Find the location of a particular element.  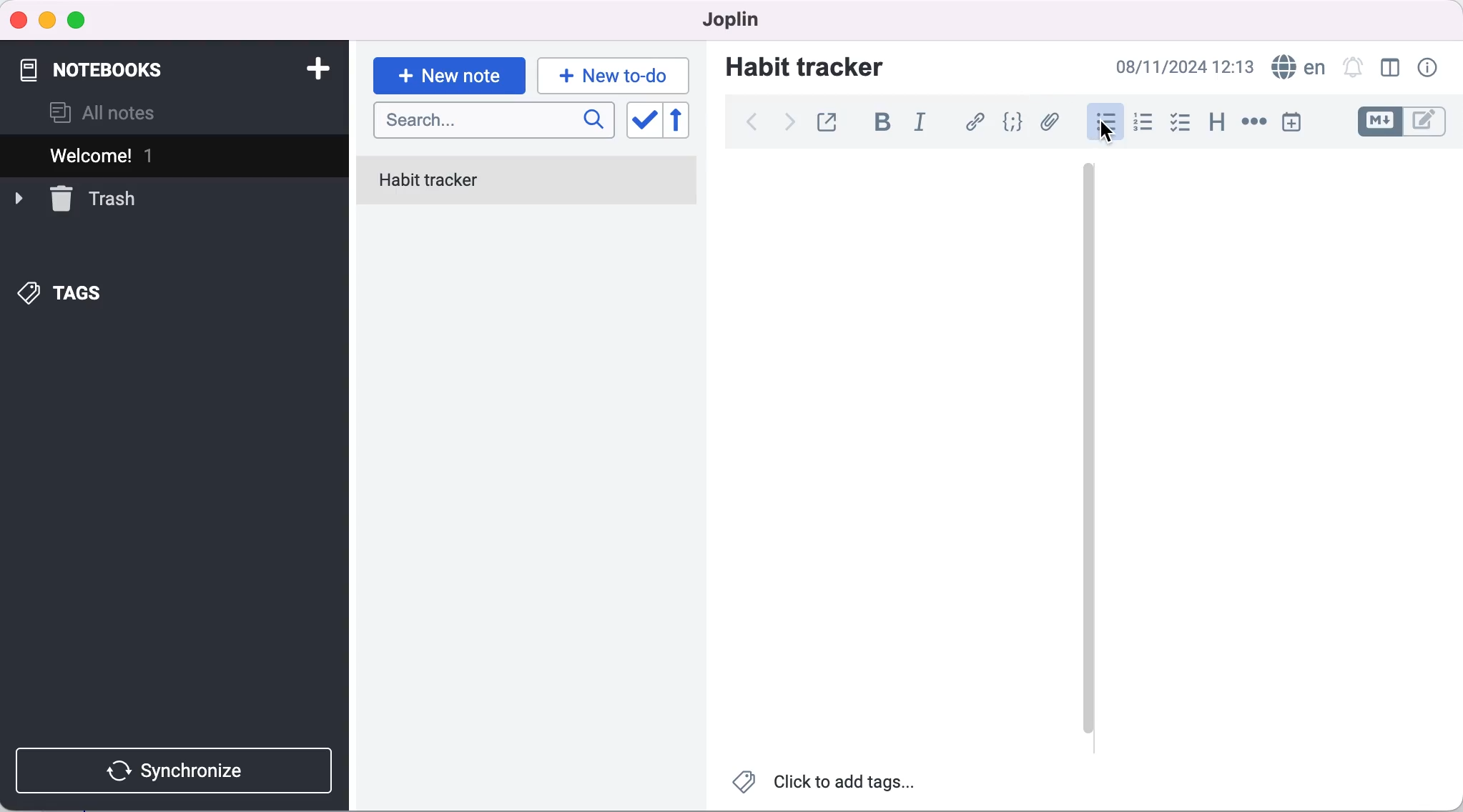

code is located at coordinates (1015, 122).